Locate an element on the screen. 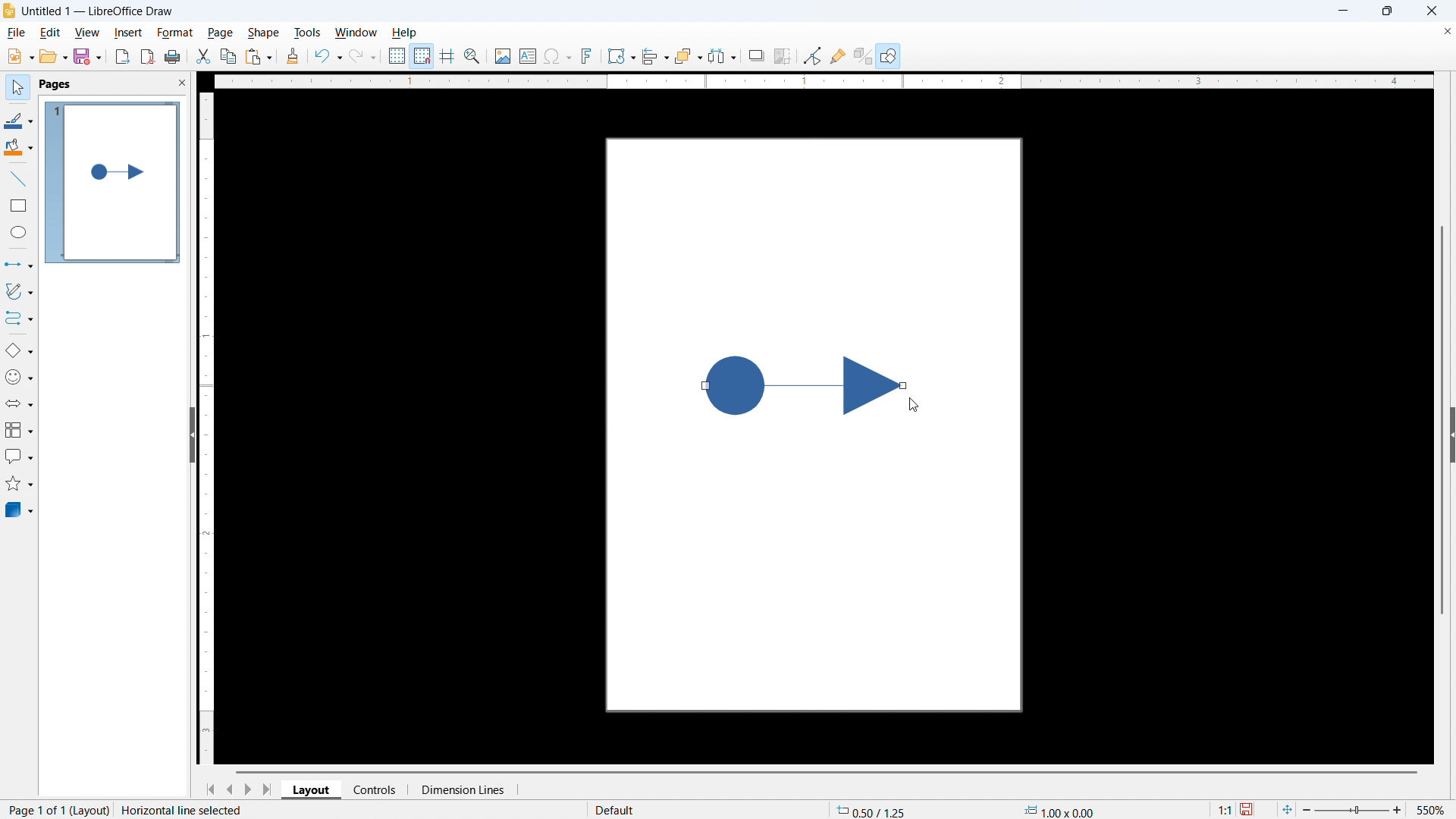  Export as P D F  is located at coordinates (148, 56).